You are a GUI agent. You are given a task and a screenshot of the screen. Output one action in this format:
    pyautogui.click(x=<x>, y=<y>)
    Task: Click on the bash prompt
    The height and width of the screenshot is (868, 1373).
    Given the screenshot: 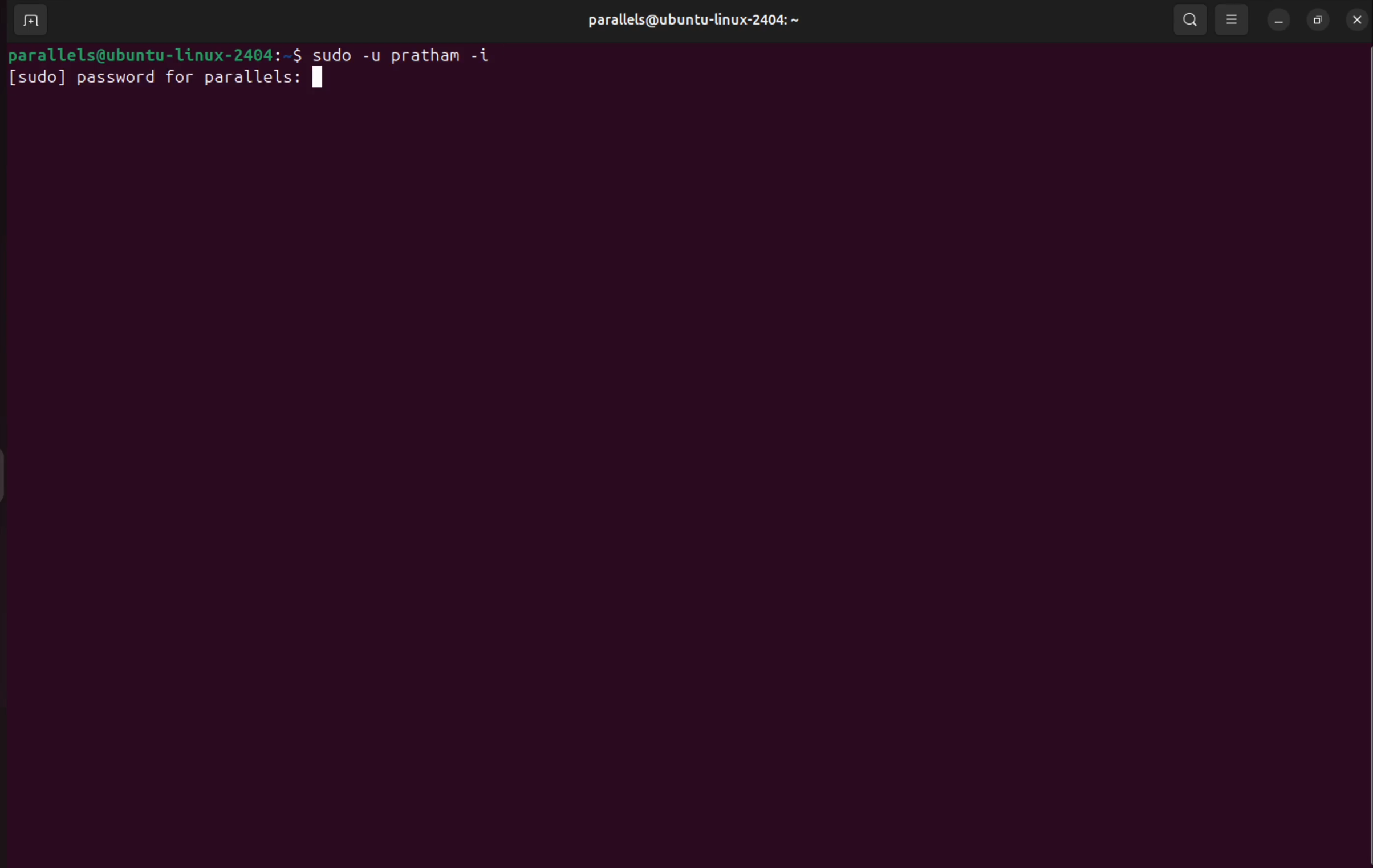 What is the action you would take?
    pyautogui.click(x=152, y=52)
    